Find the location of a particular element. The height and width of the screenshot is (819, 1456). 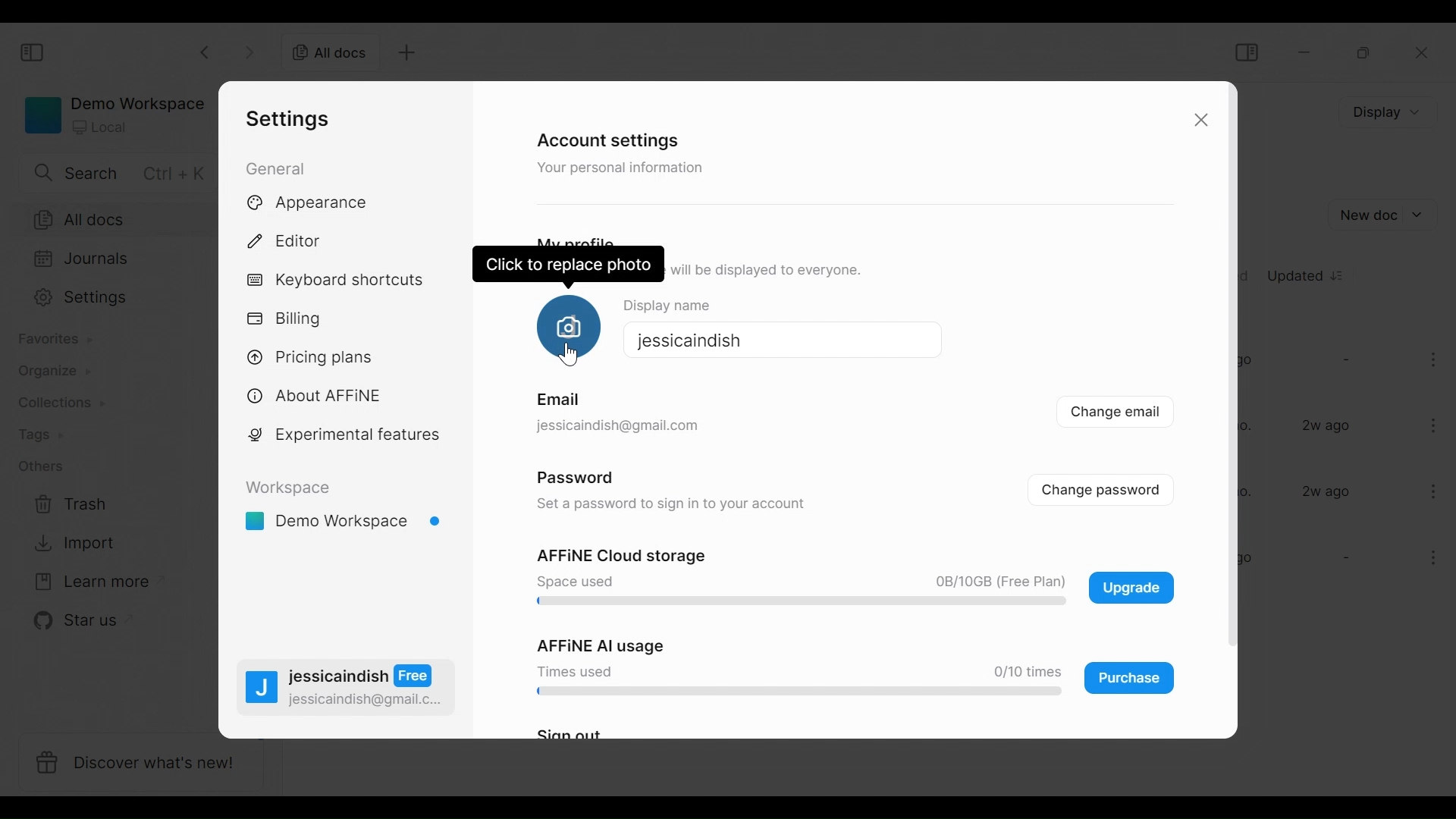

jessicaindish is located at coordinates (362, 676).